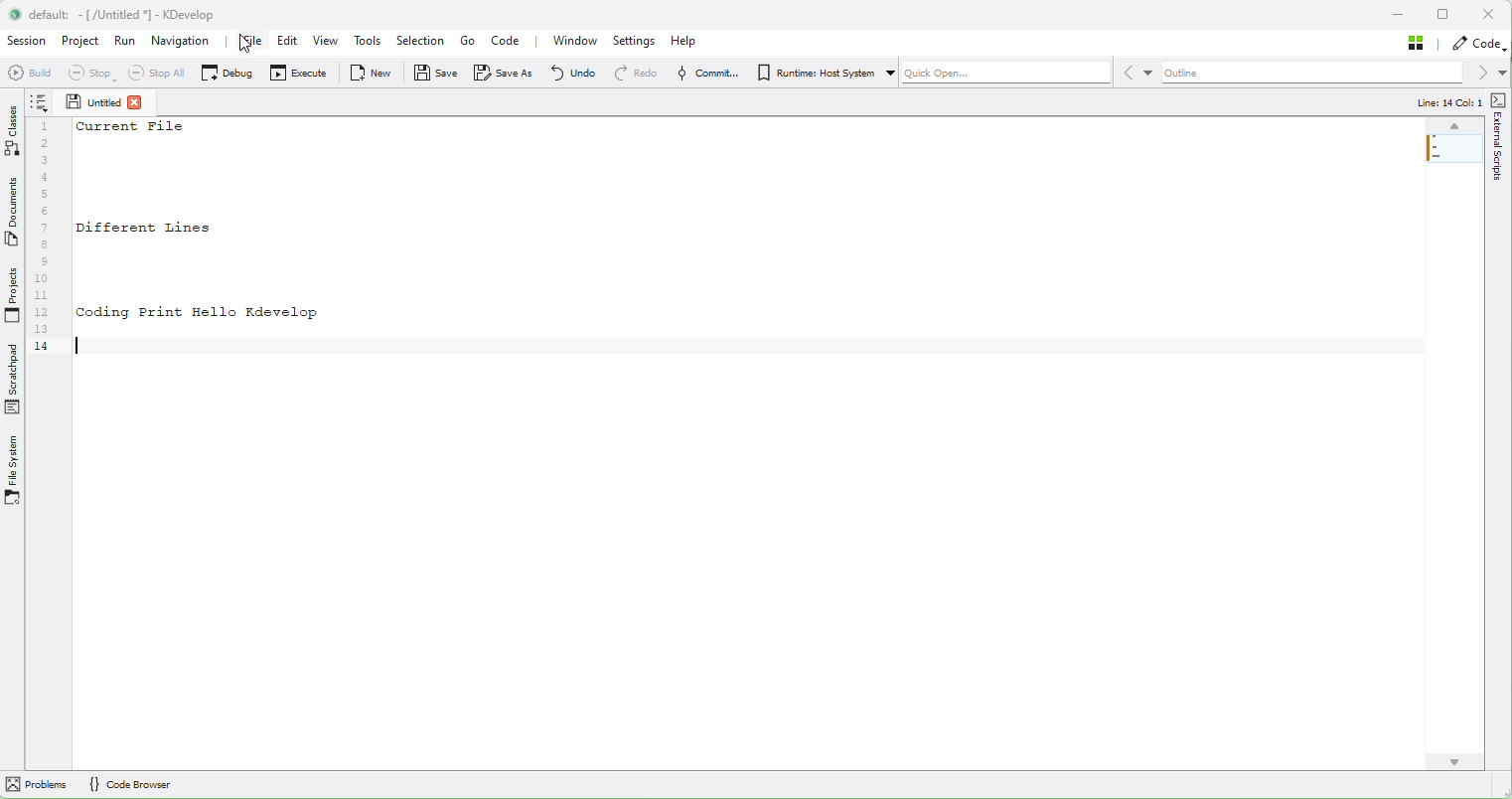  Describe the element at coordinates (200, 314) in the screenshot. I see `Coding Print Hello Kdevelop` at that location.